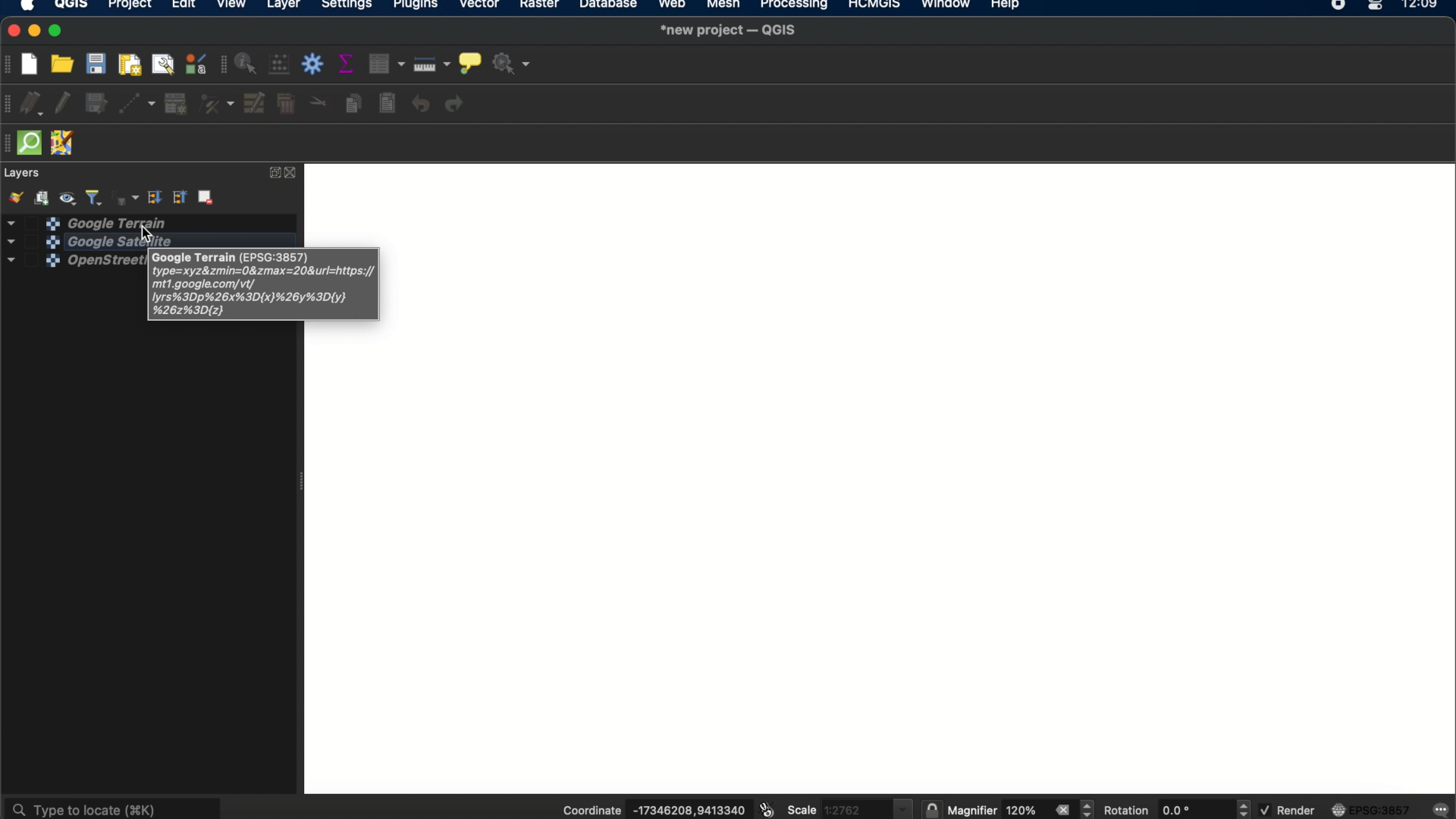 The image size is (1456, 819). I want to click on EPSG:3857, so click(1374, 809).